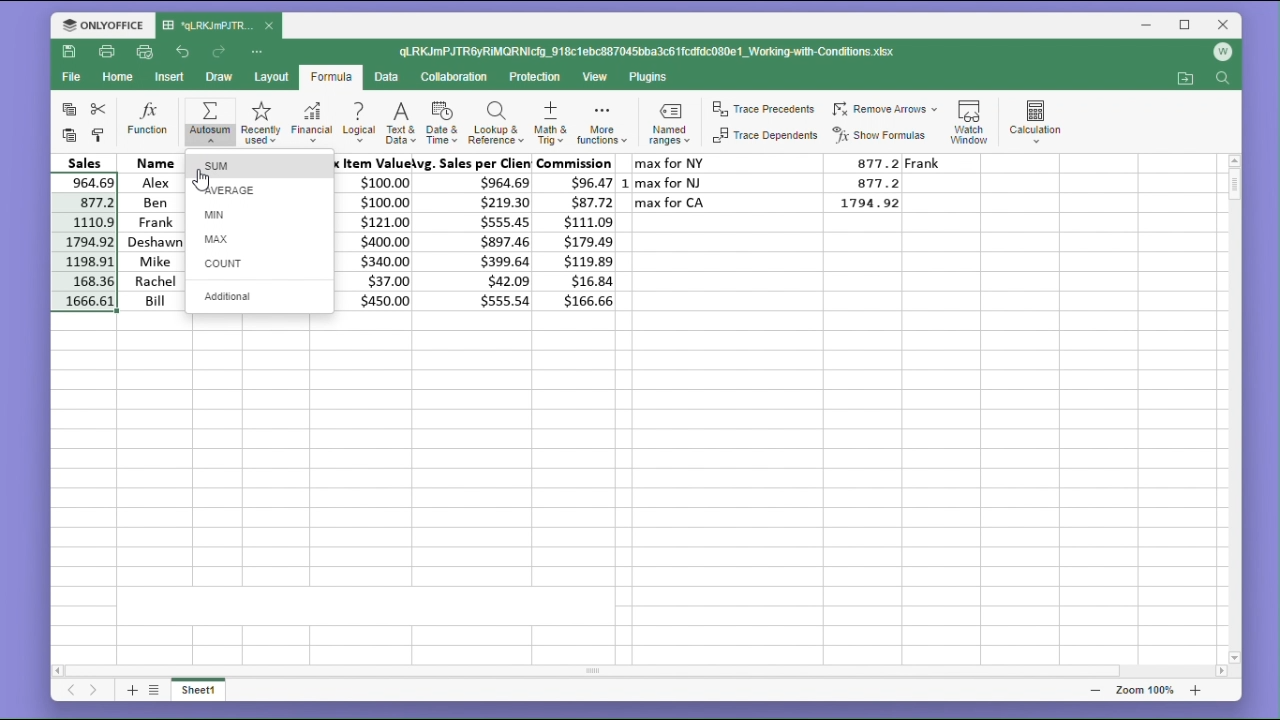  I want to click on trace dependents, so click(763, 139).